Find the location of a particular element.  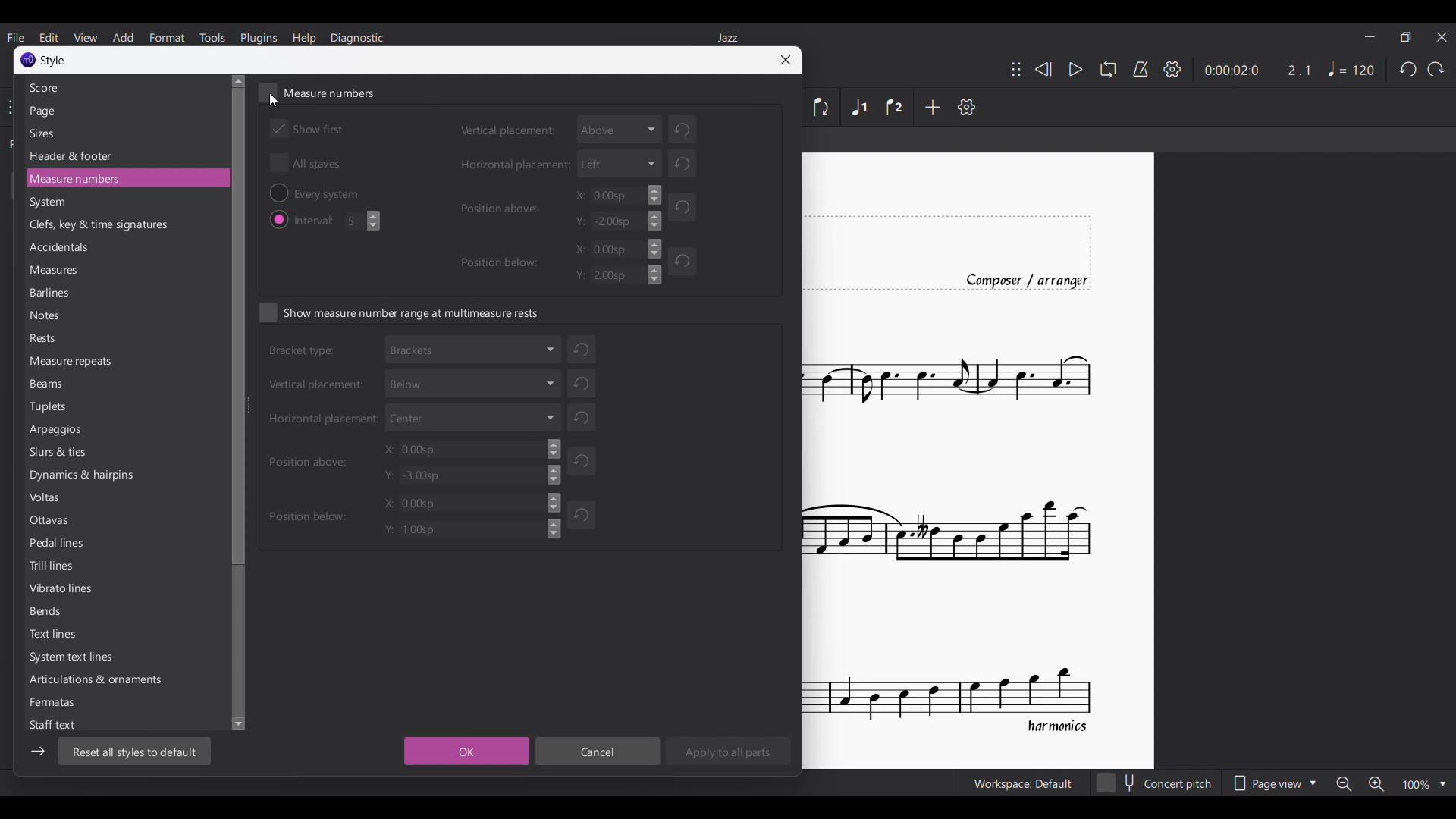

Measure is located at coordinates (58, 271).